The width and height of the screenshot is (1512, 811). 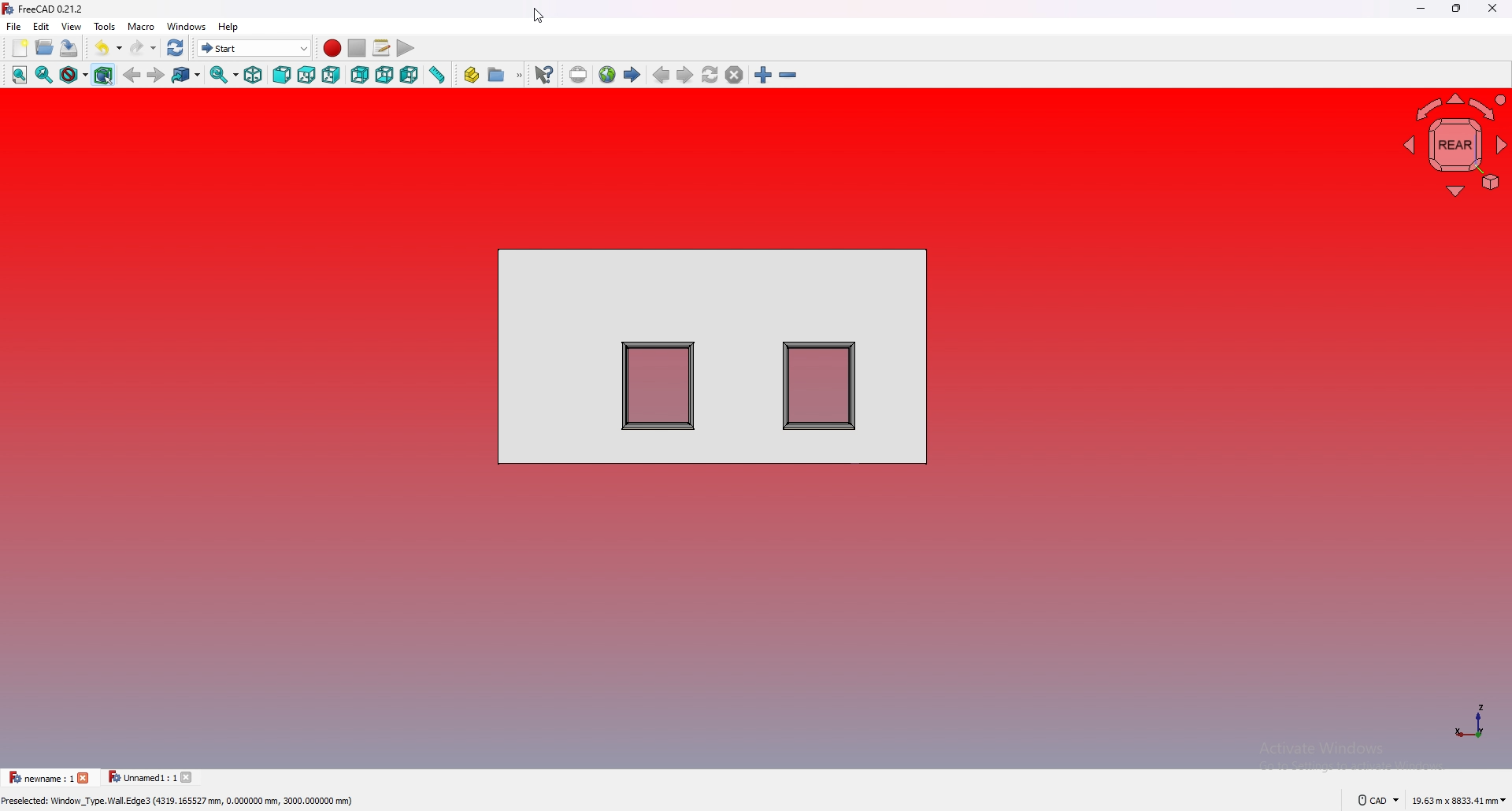 I want to click on previous page, so click(x=661, y=75).